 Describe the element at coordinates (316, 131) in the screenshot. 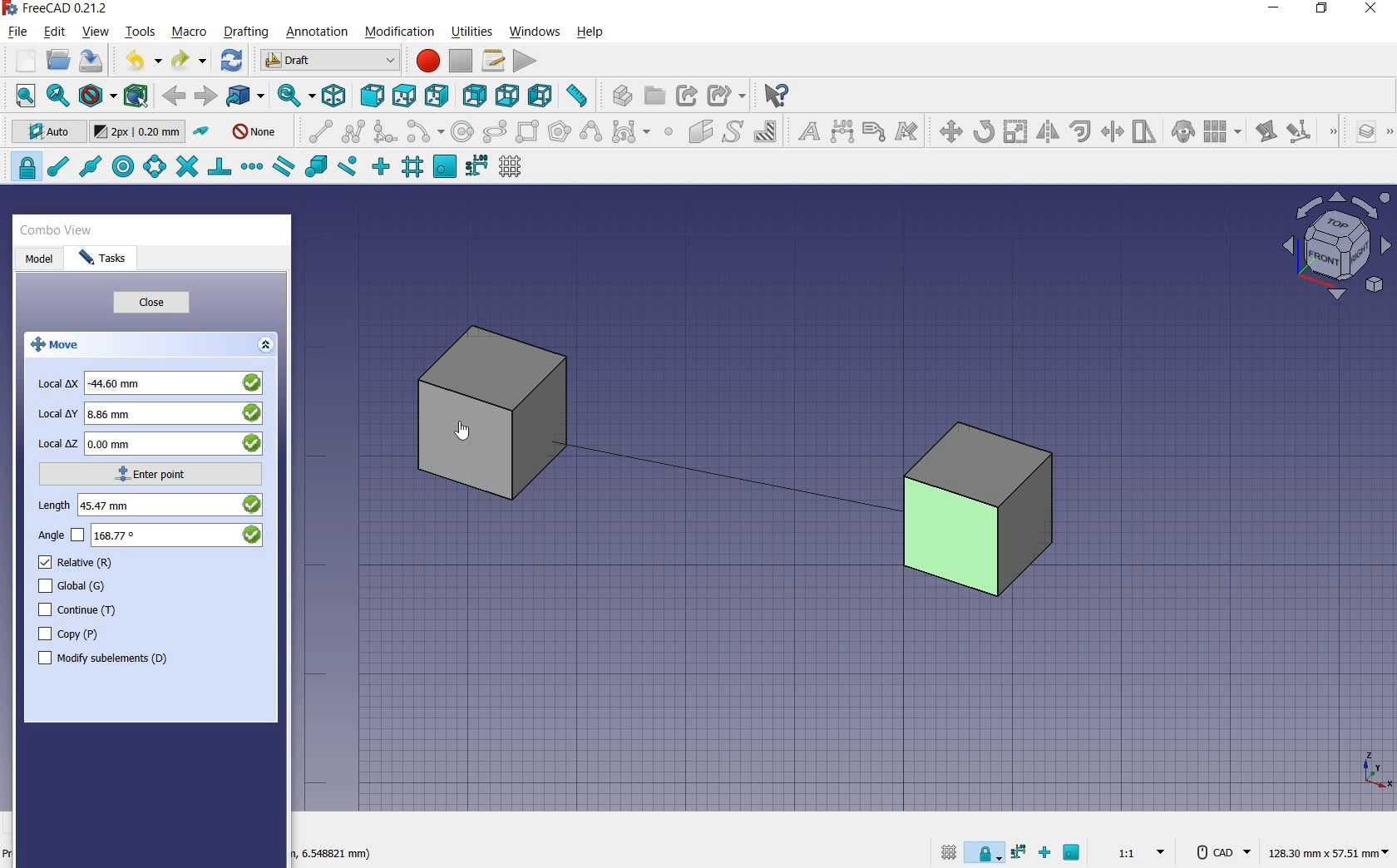

I see `line` at that location.